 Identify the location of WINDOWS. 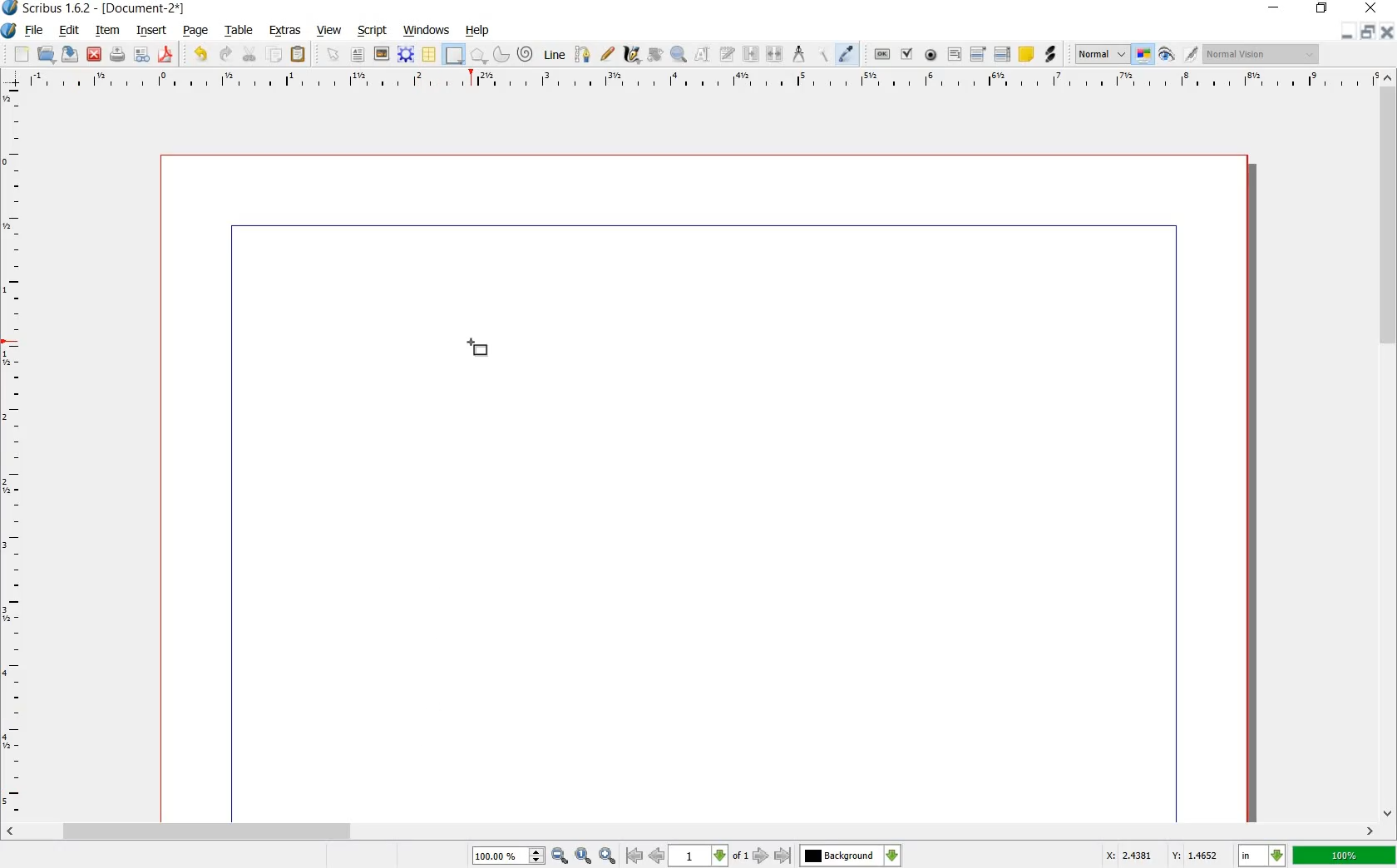
(427, 31).